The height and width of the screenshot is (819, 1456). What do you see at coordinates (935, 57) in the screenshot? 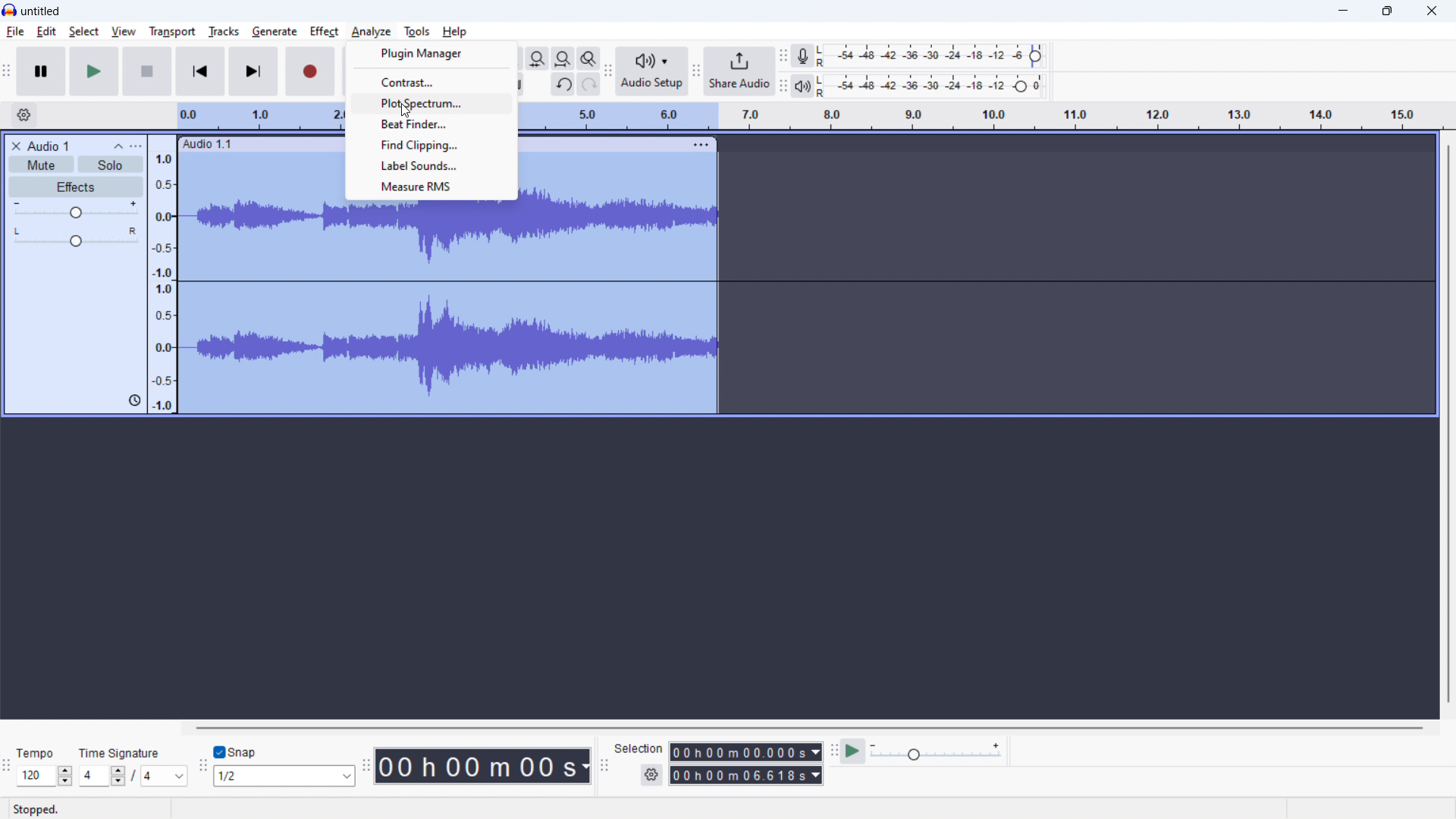
I see `recording level` at bounding box center [935, 57].